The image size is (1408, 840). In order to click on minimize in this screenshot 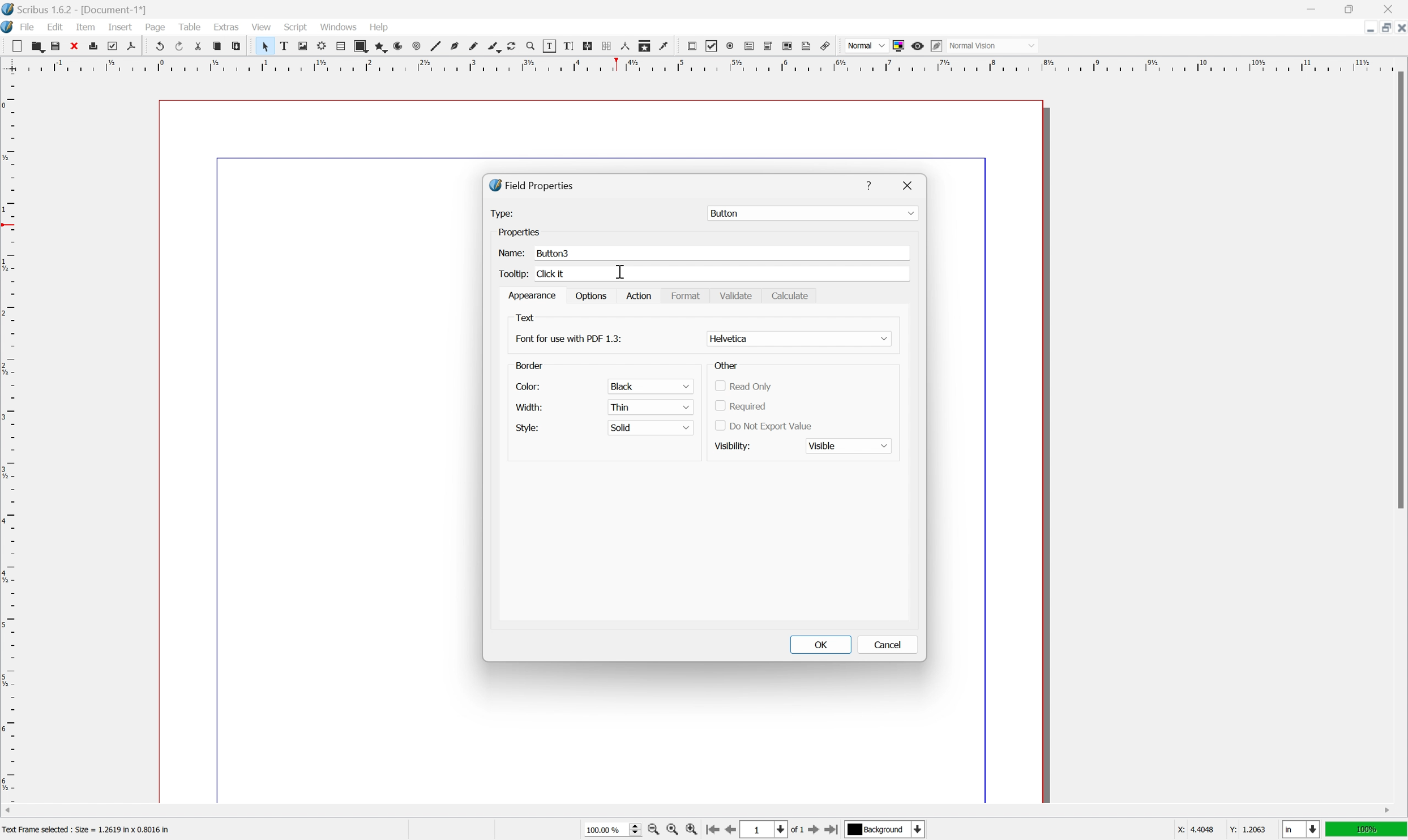, I will do `click(1365, 27)`.